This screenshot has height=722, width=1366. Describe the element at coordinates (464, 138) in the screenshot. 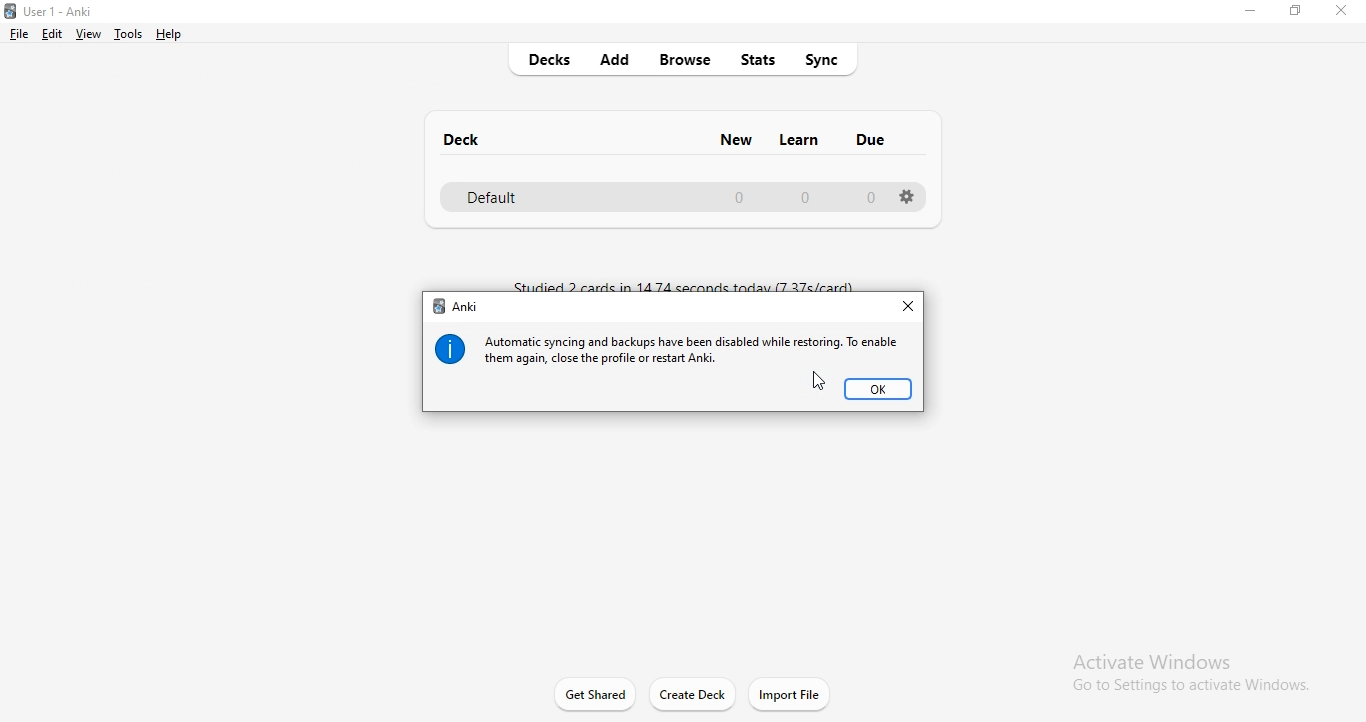

I see `deck` at that location.